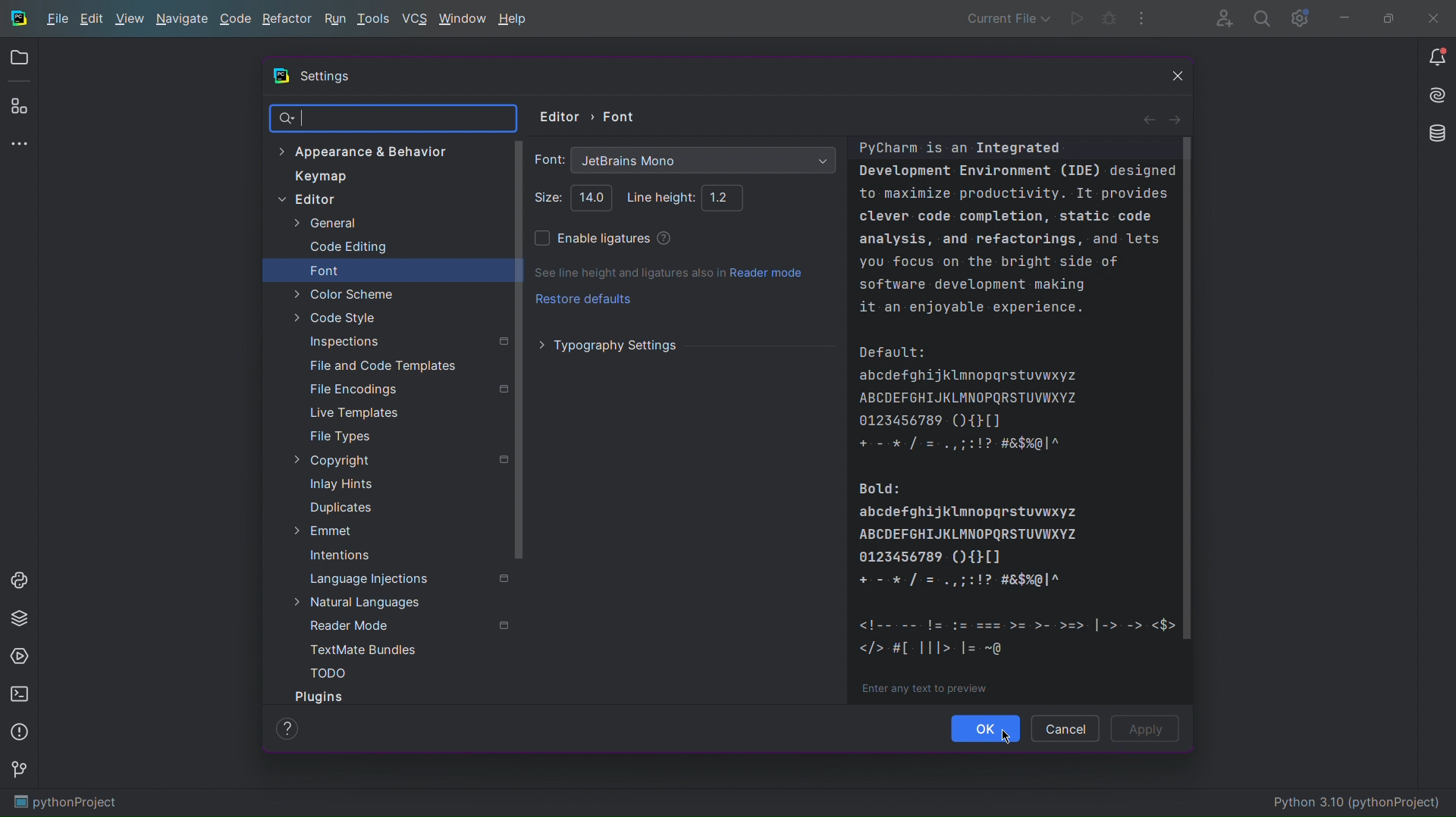  What do you see at coordinates (414, 19) in the screenshot?
I see `VCS` at bounding box center [414, 19].